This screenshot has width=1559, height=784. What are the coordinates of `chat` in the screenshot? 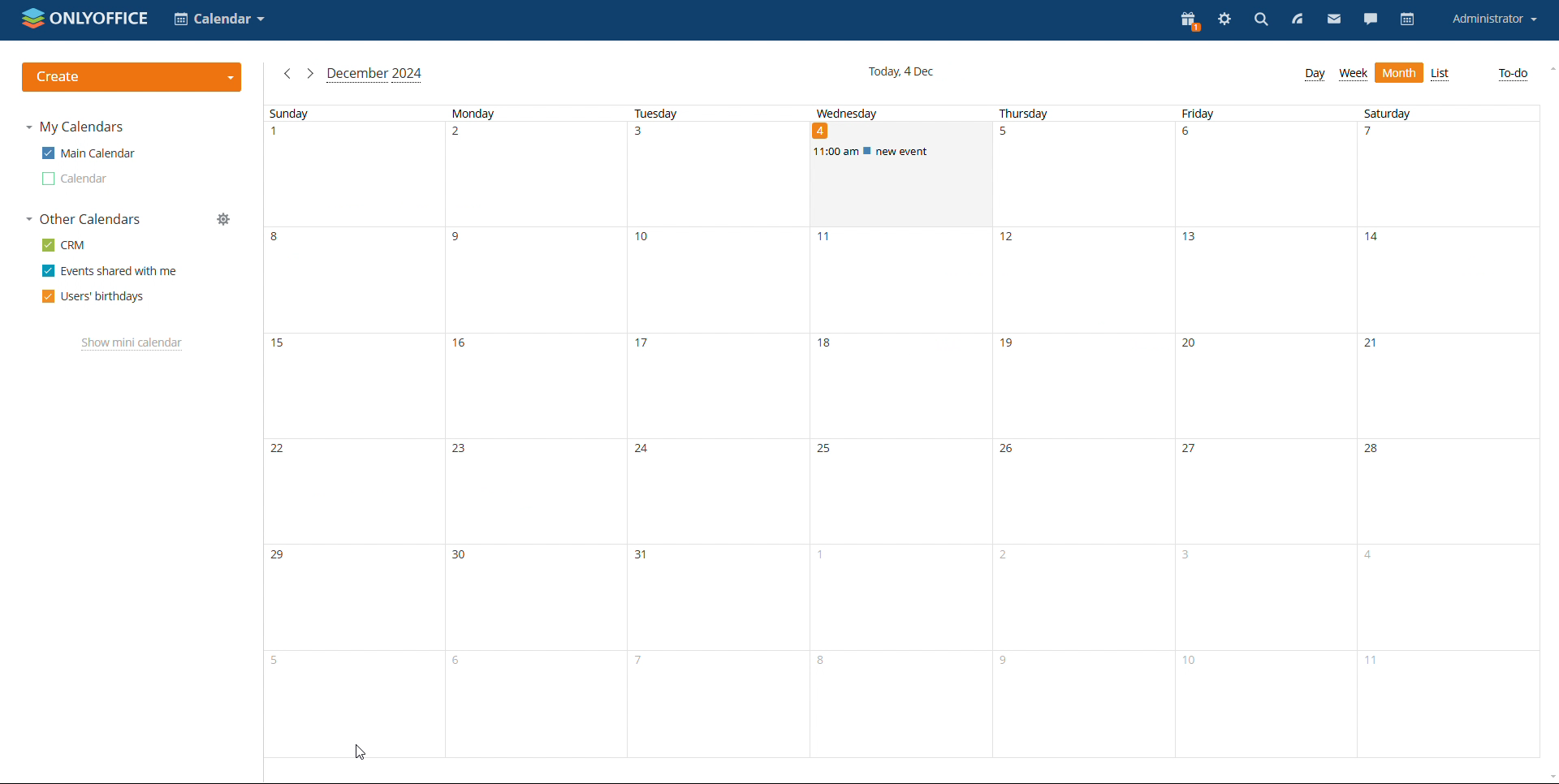 It's located at (1371, 21).